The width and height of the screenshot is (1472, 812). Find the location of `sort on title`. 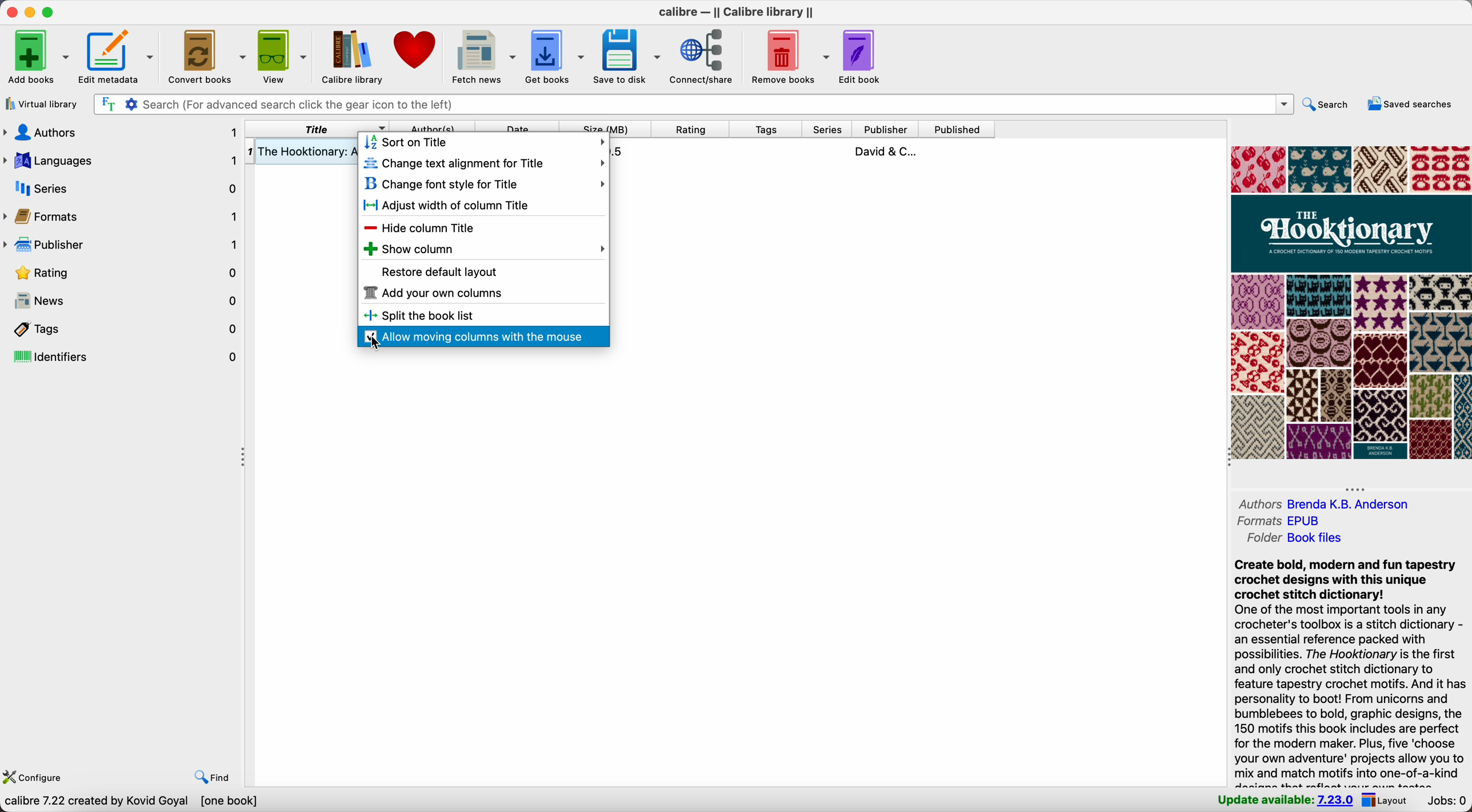

sort on title is located at coordinates (485, 143).